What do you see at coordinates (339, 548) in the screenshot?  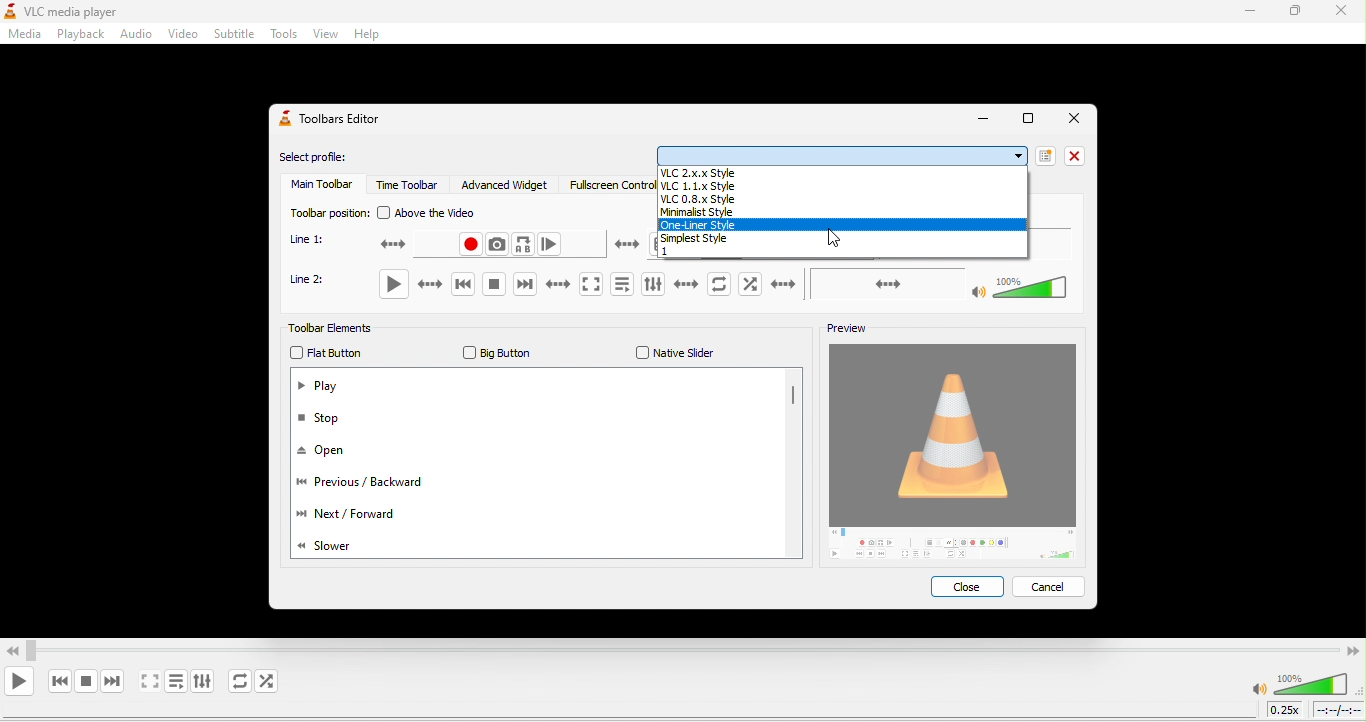 I see `slower` at bounding box center [339, 548].